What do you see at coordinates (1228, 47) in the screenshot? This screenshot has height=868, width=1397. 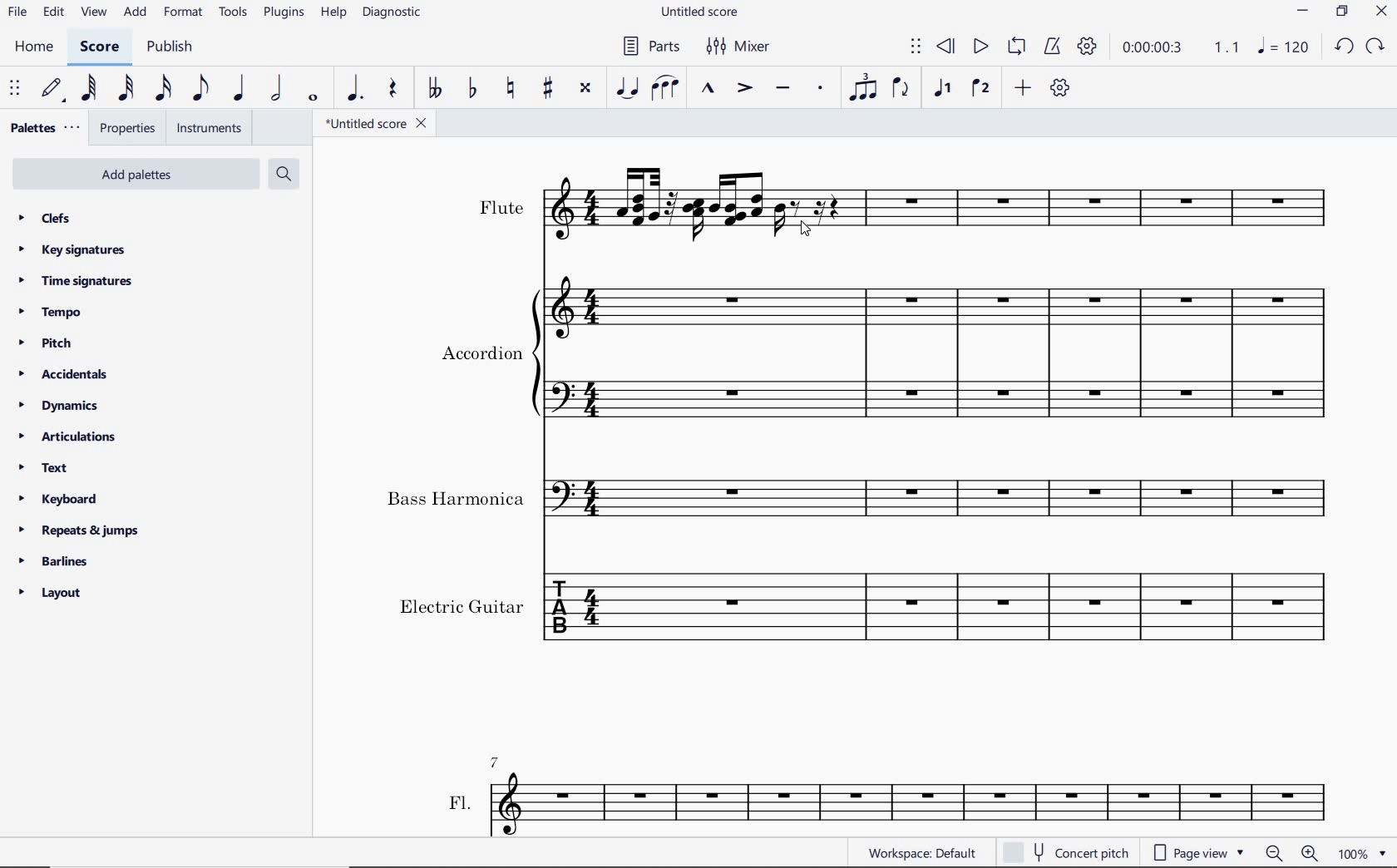 I see `Playback speed` at bounding box center [1228, 47].